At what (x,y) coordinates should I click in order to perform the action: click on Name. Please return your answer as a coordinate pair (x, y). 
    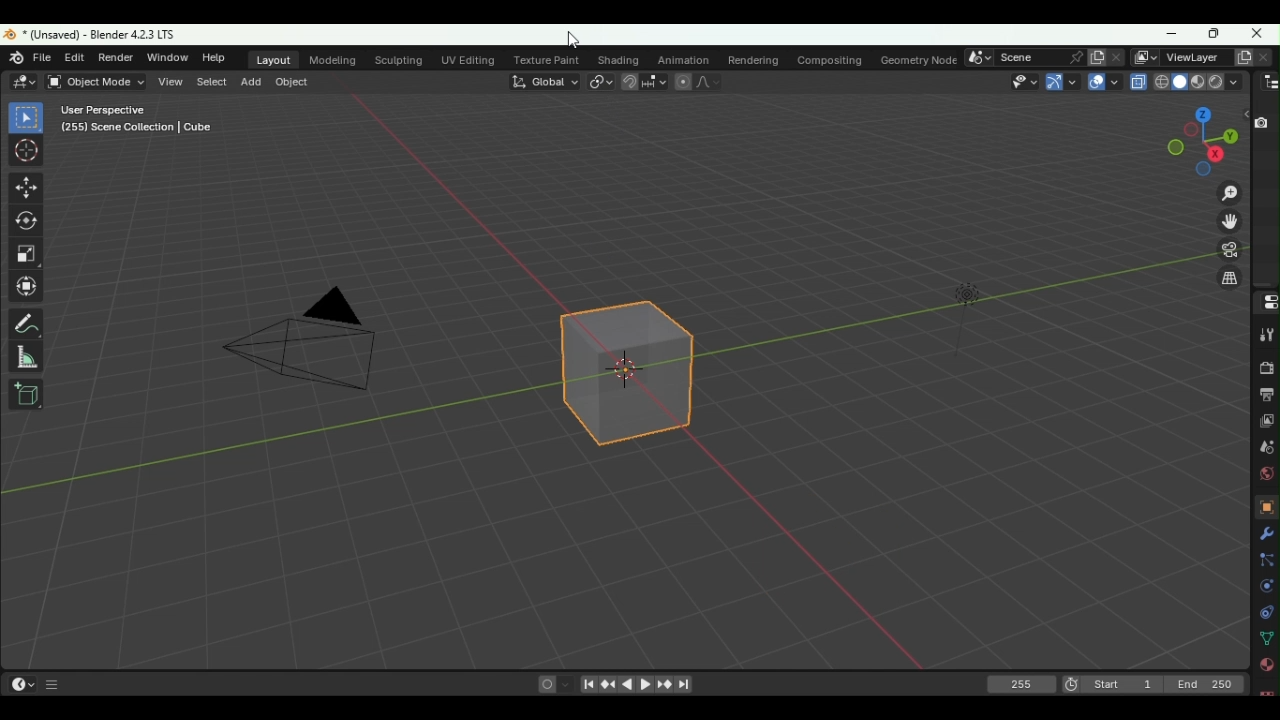
    Looking at the image, I should click on (1024, 55).